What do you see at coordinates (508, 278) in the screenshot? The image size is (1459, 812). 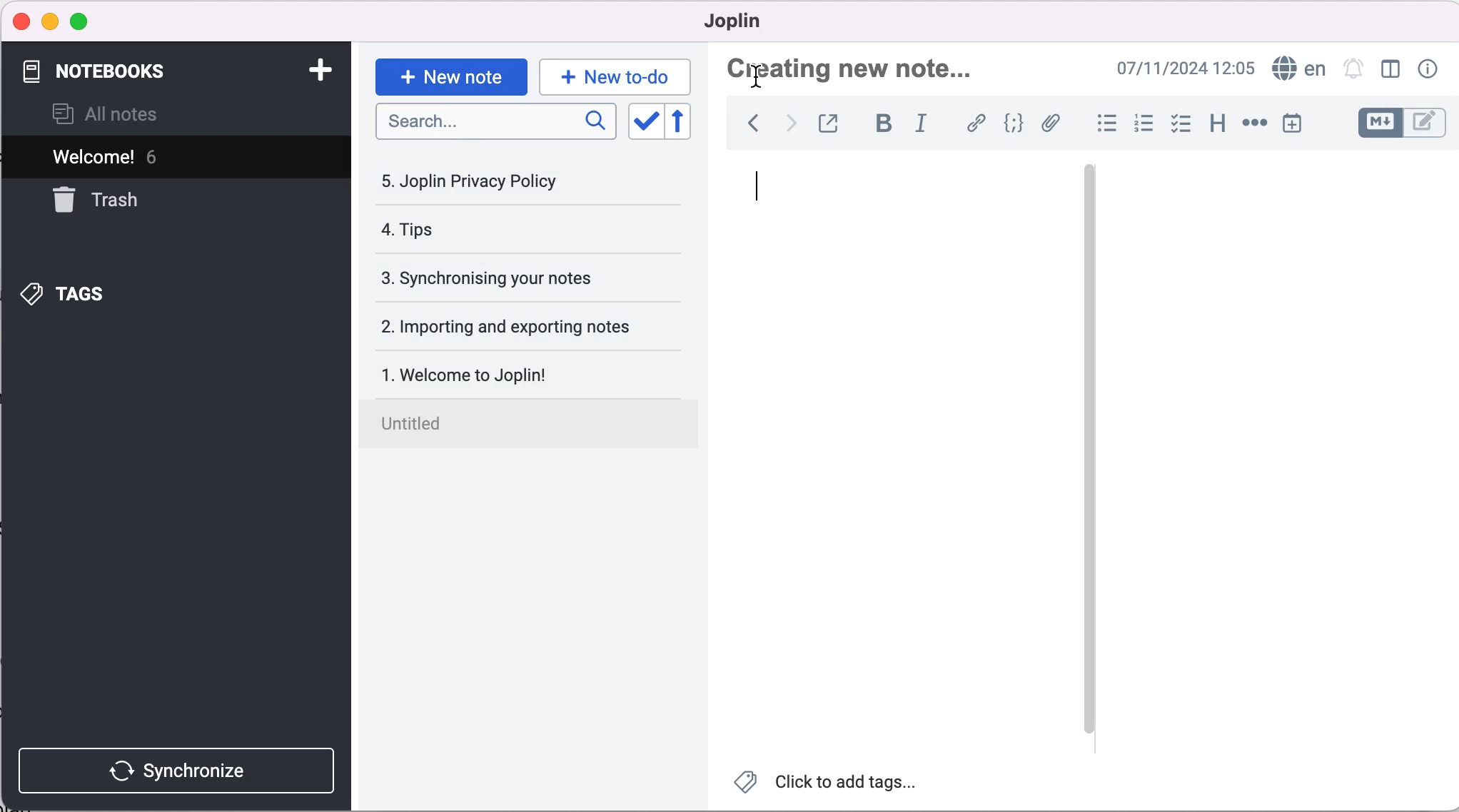 I see `synchronising your notes` at bounding box center [508, 278].